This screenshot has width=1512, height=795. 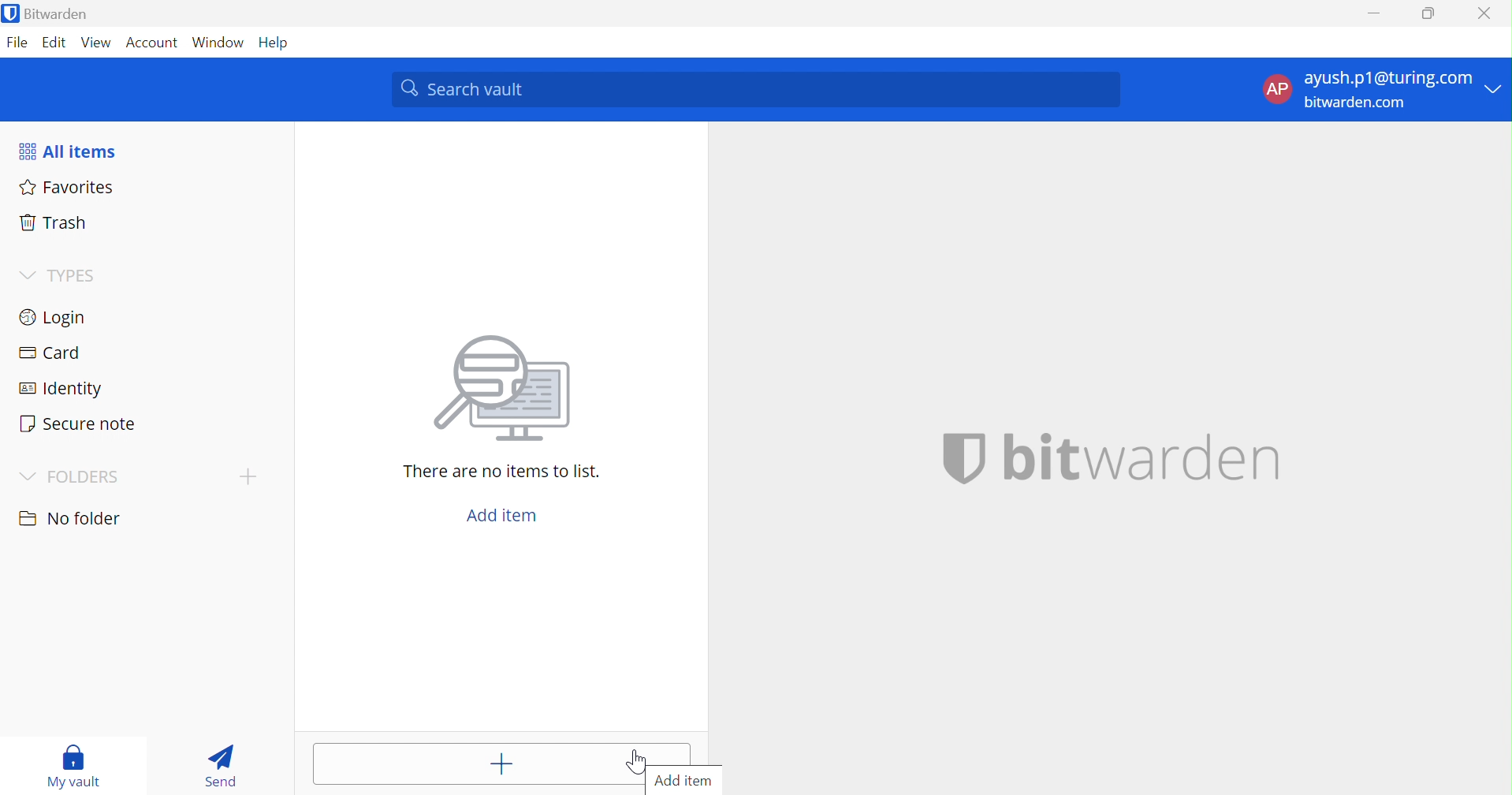 What do you see at coordinates (509, 389) in the screenshot?
I see `image` at bounding box center [509, 389].